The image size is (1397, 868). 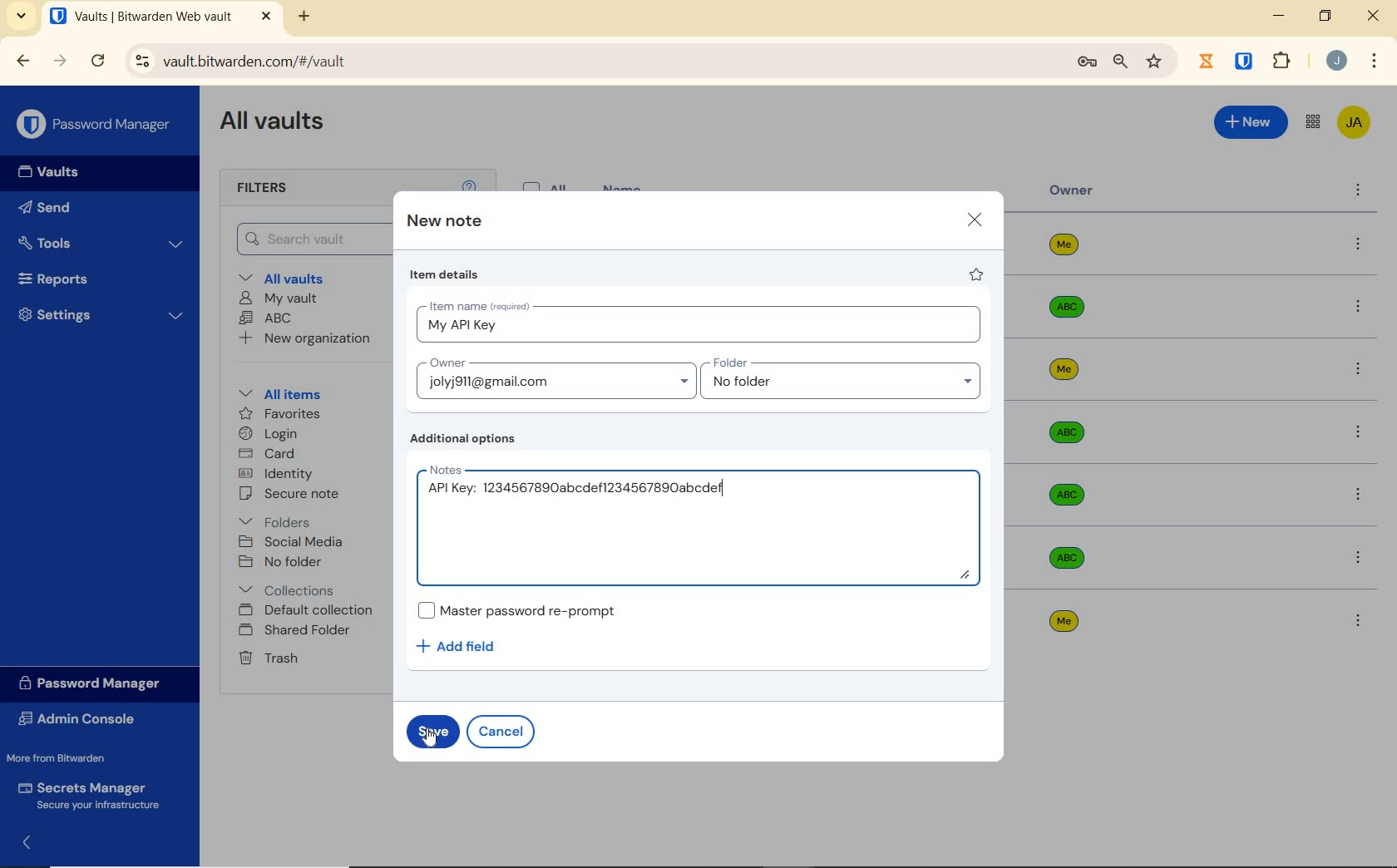 What do you see at coordinates (1154, 62) in the screenshot?
I see `bookmark` at bounding box center [1154, 62].